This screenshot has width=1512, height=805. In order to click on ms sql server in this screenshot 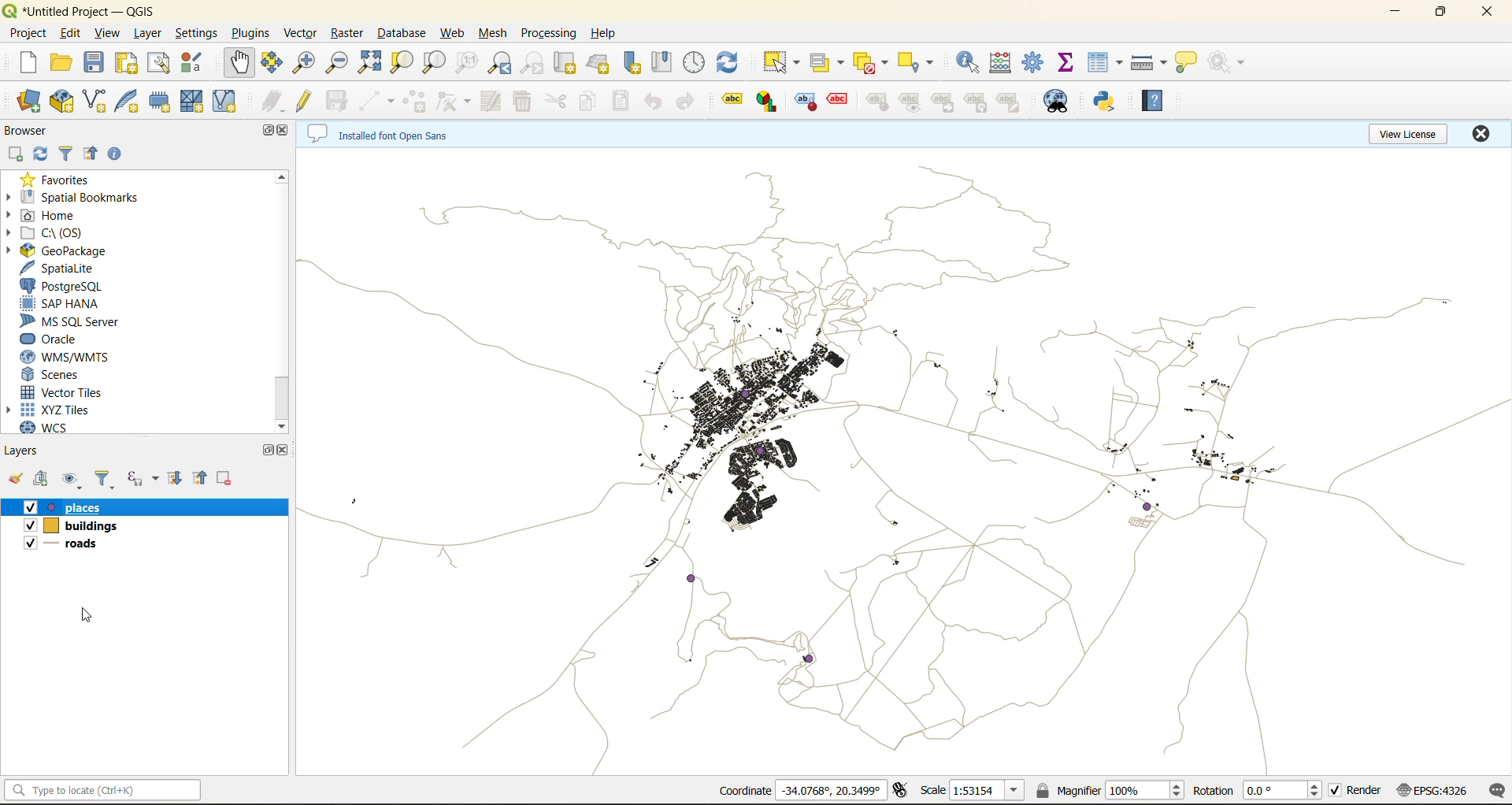, I will do `click(76, 321)`.